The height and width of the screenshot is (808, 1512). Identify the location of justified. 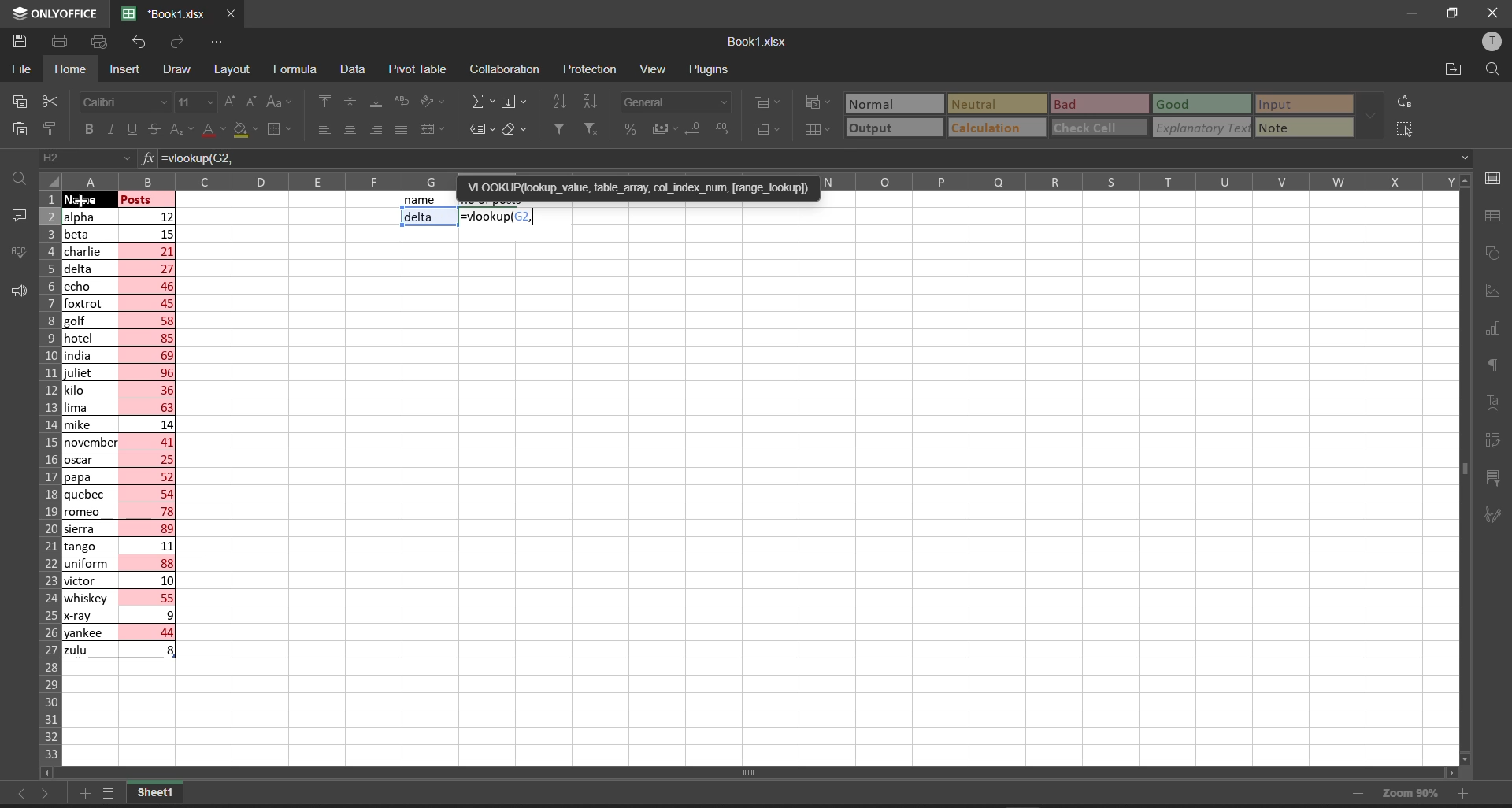
(400, 129).